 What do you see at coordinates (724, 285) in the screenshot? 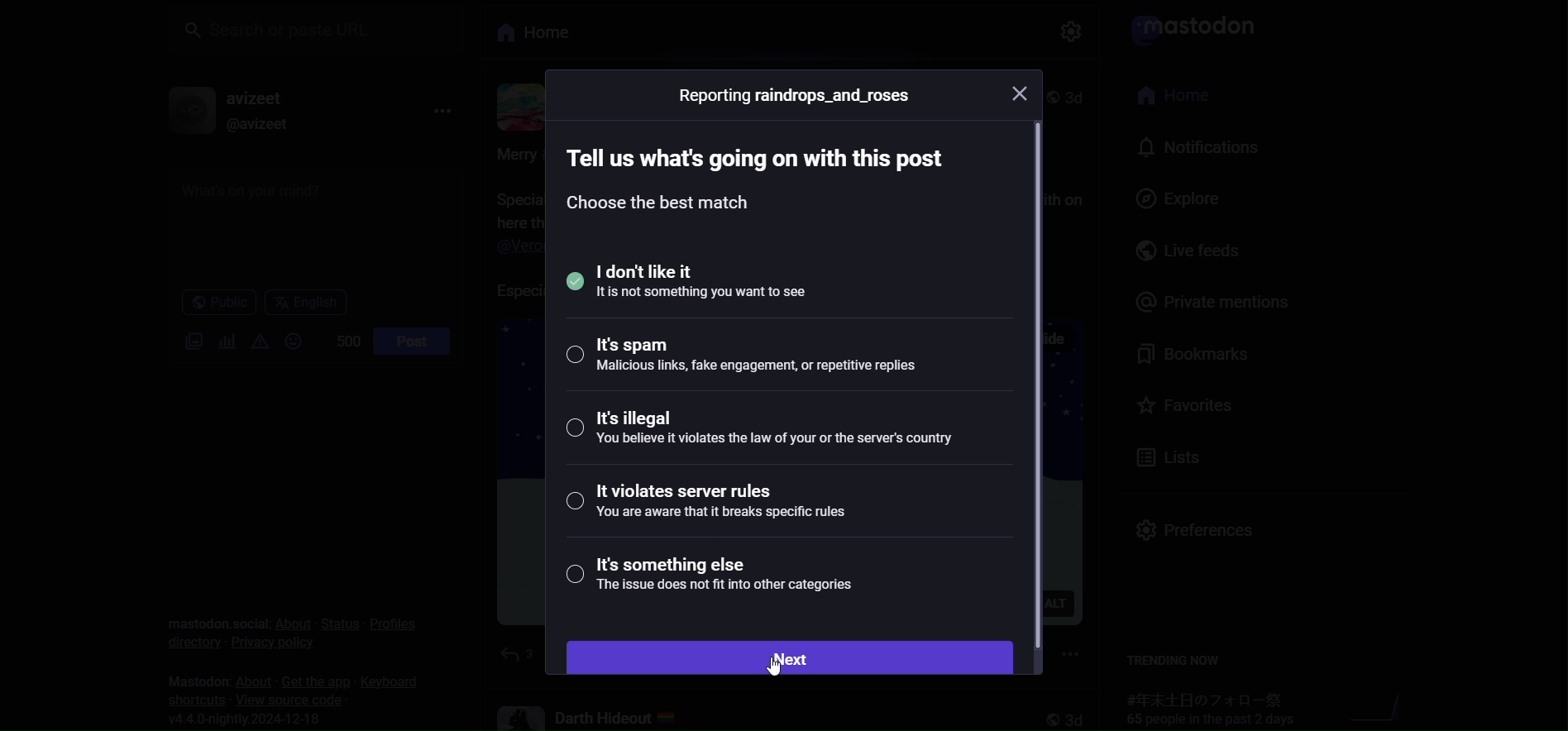
I see `selected i dont like it` at bounding box center [724, 285].